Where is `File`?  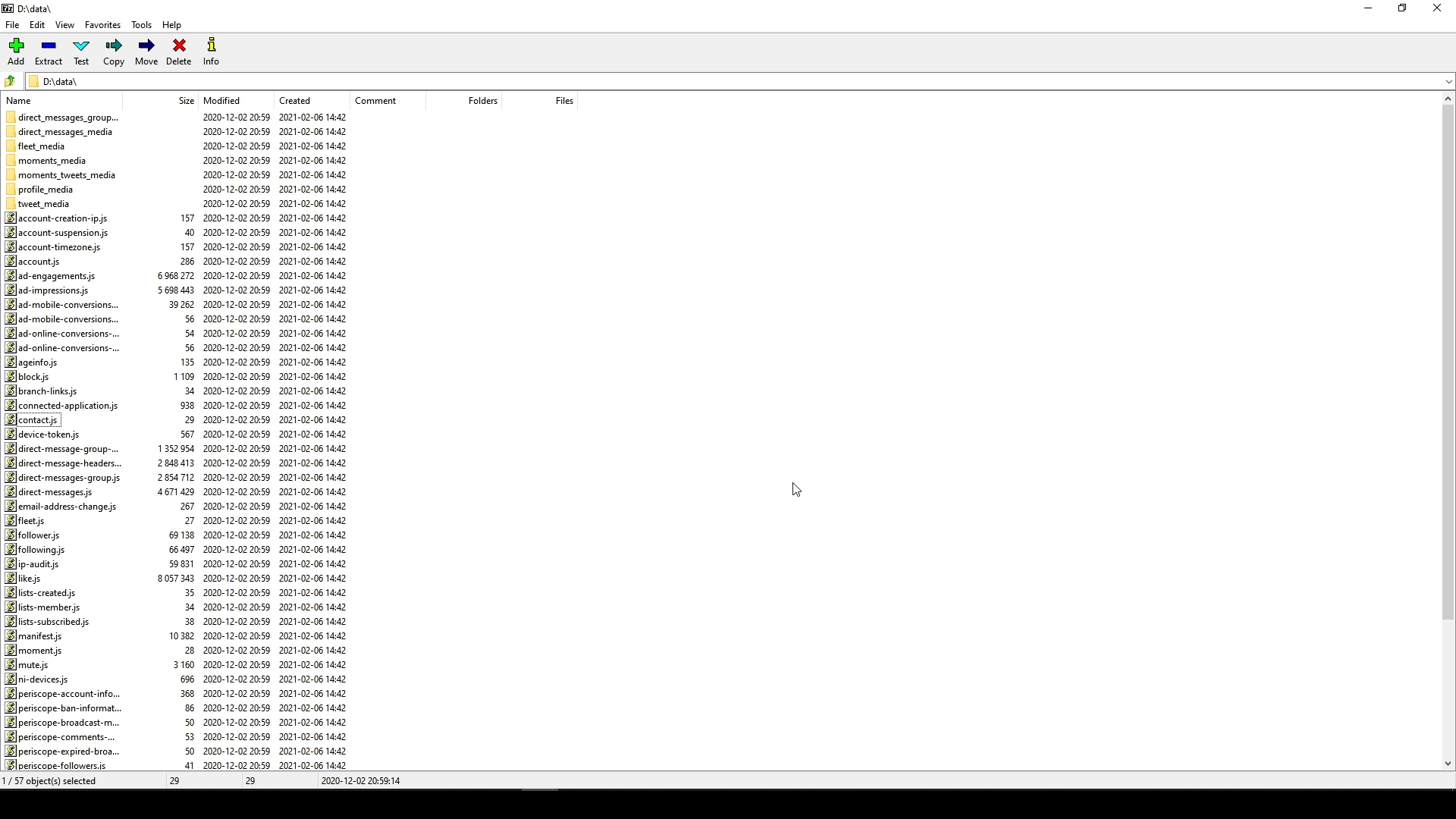
File is located at coordinates (15, 22).